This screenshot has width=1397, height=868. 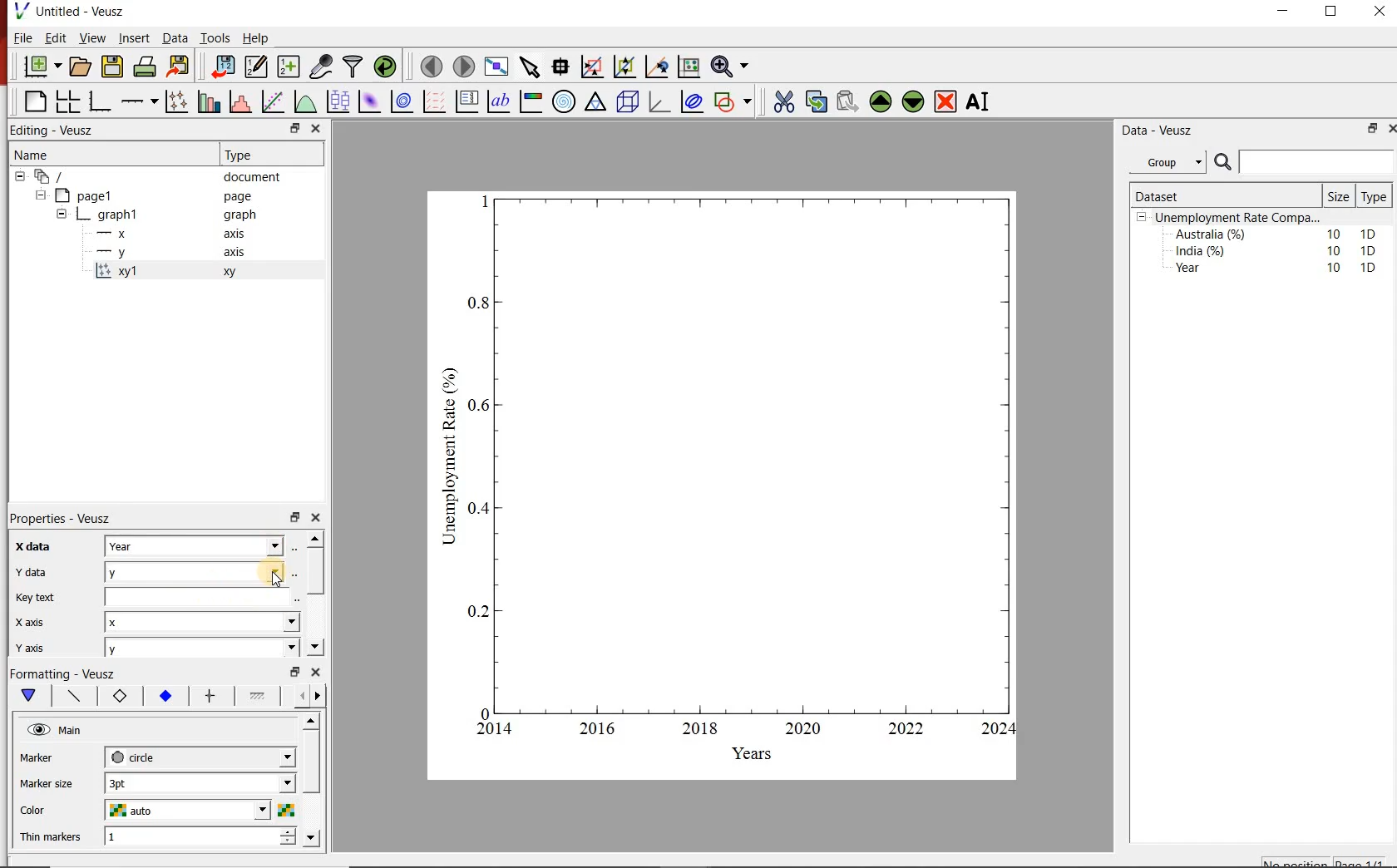 I want to click on minimise, so click(x=297, y=128).